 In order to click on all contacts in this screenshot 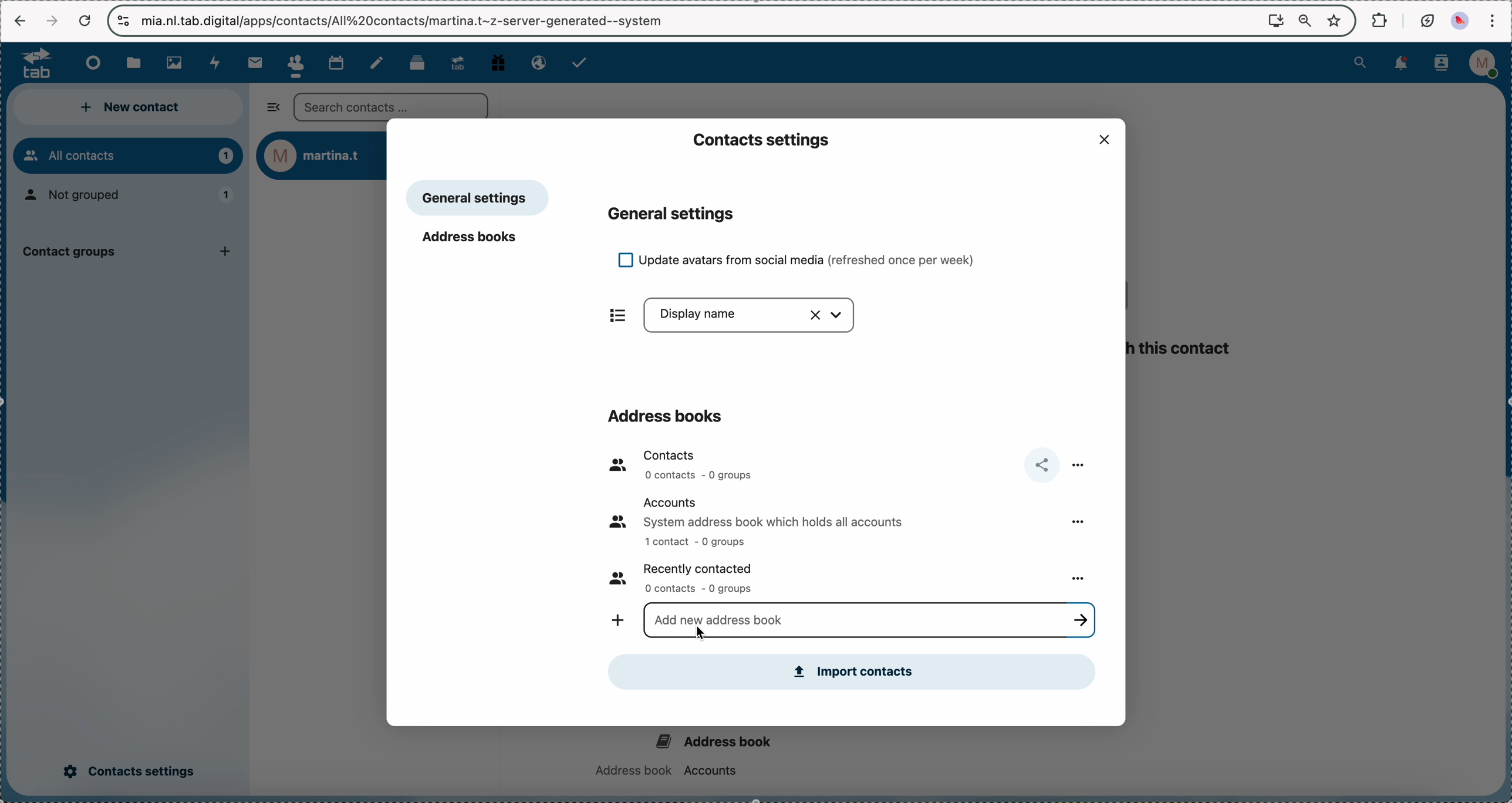, I will do `click(127, 156)`.